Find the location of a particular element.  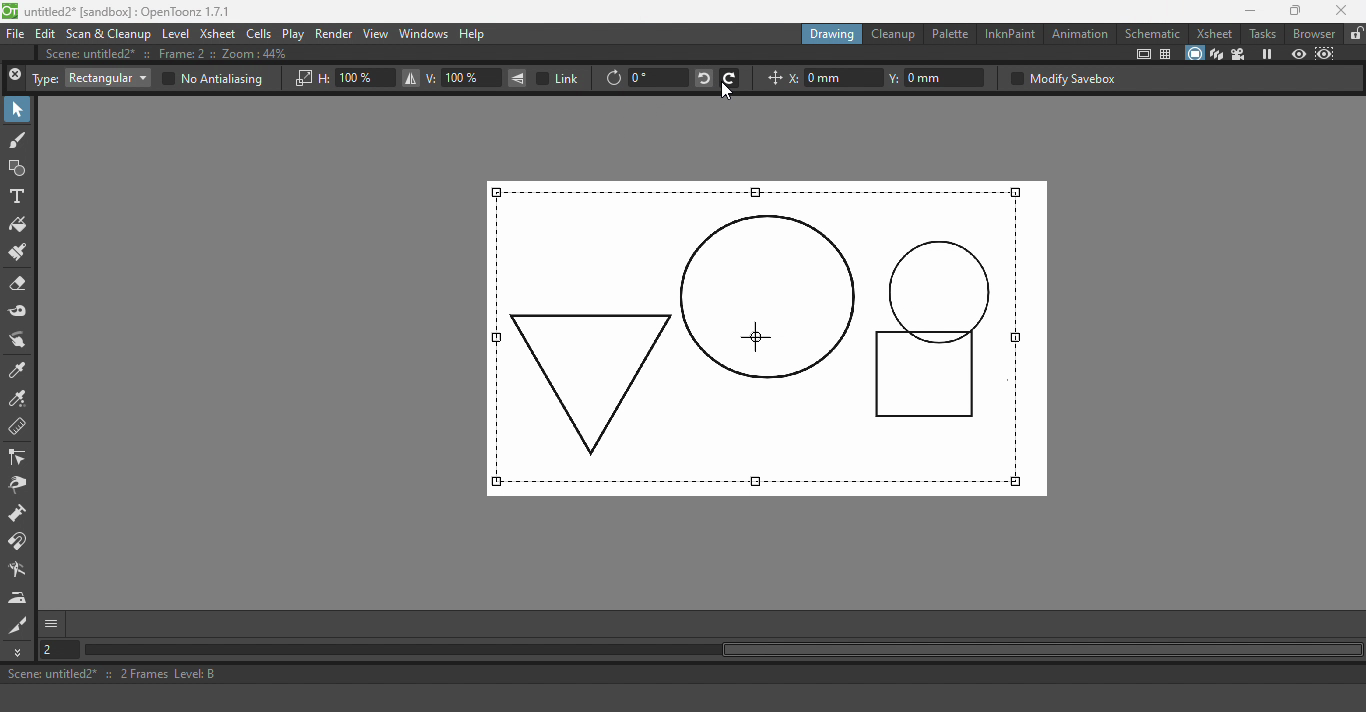

Scene: untitle2* :: Frame: 2 :: Zoom:44% is located at coordinates (177, 55).